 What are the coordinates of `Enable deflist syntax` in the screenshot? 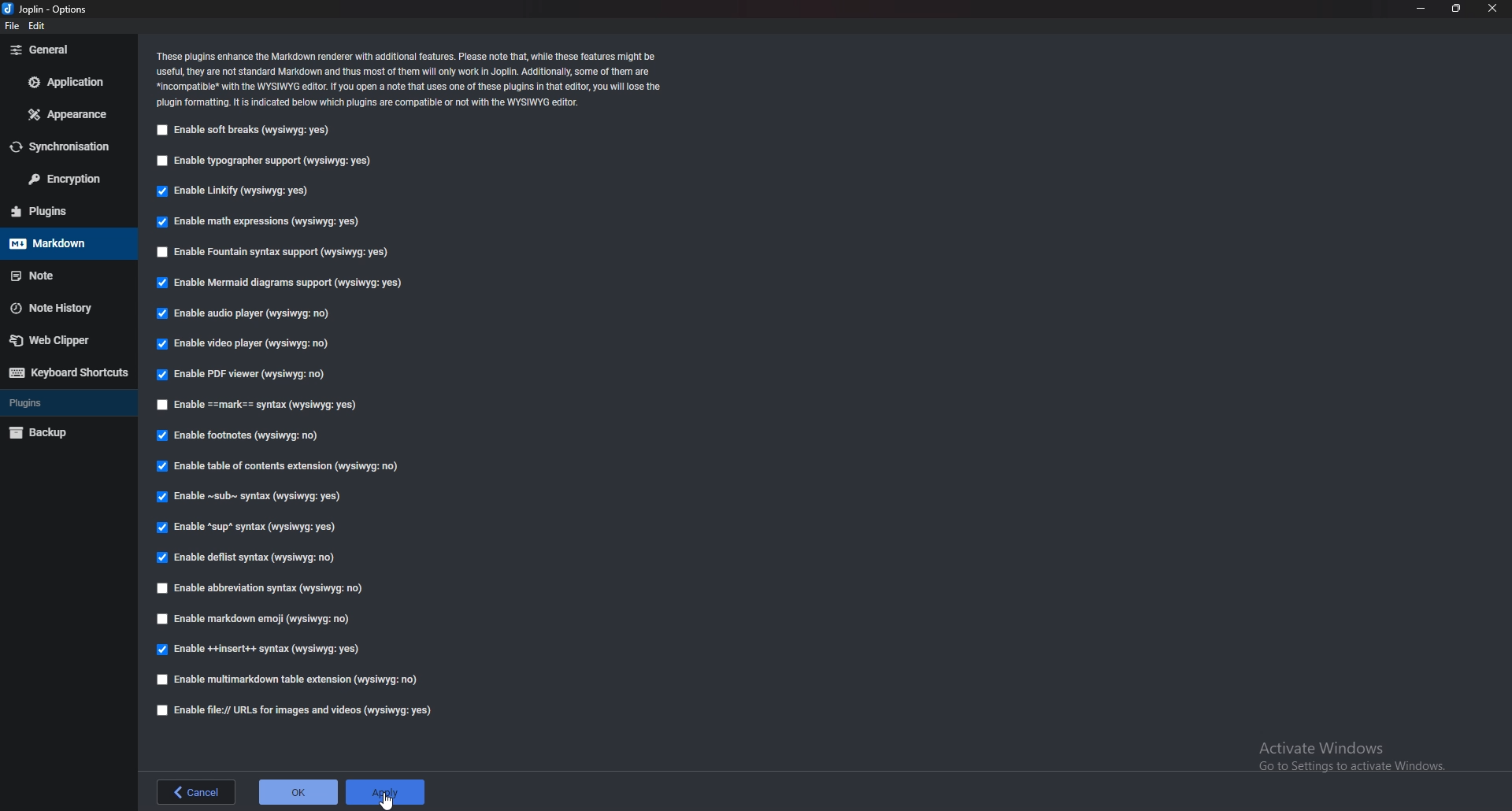 It's located at (246, 557).